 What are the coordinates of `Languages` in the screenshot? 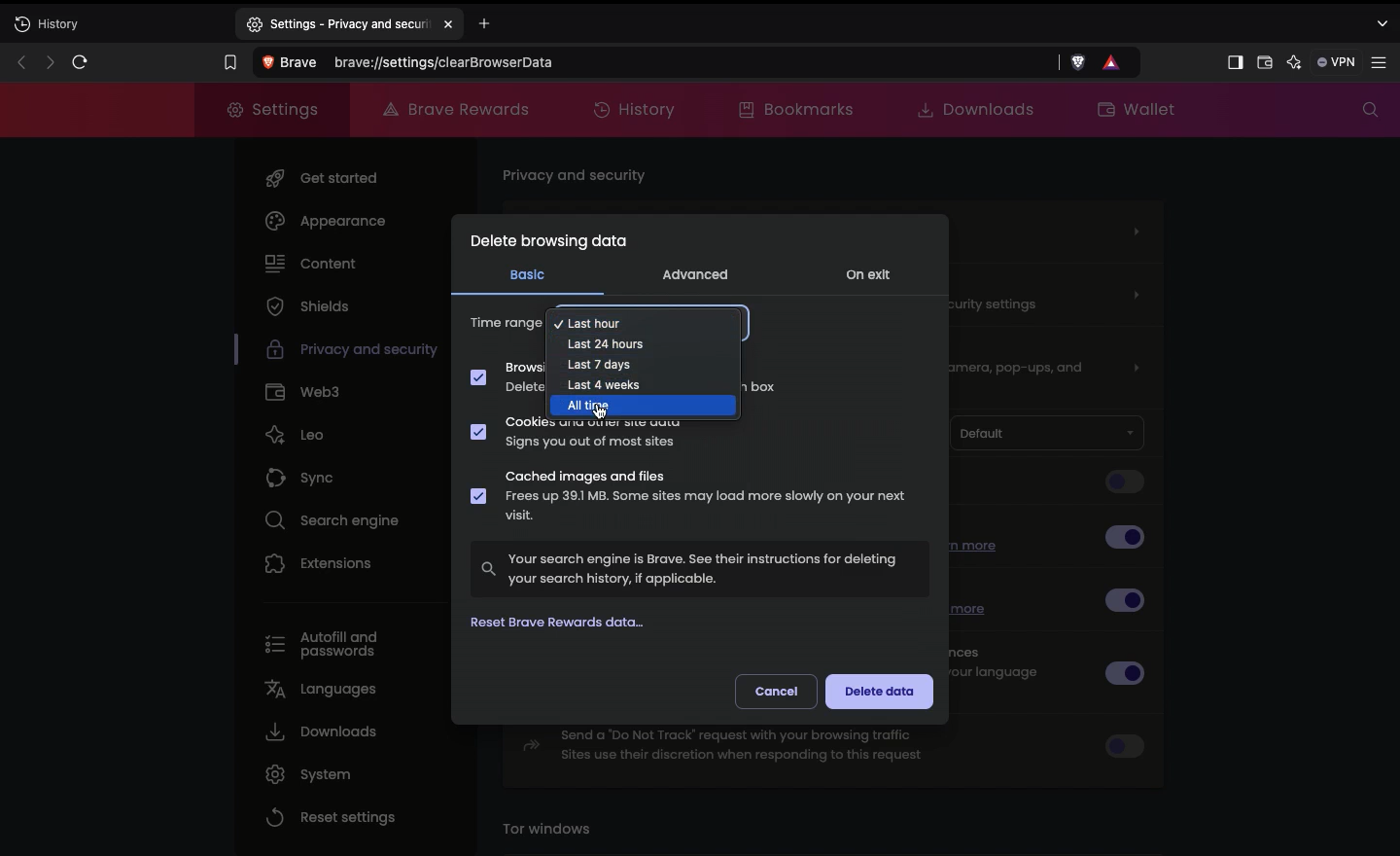 It's located at (324, 692).